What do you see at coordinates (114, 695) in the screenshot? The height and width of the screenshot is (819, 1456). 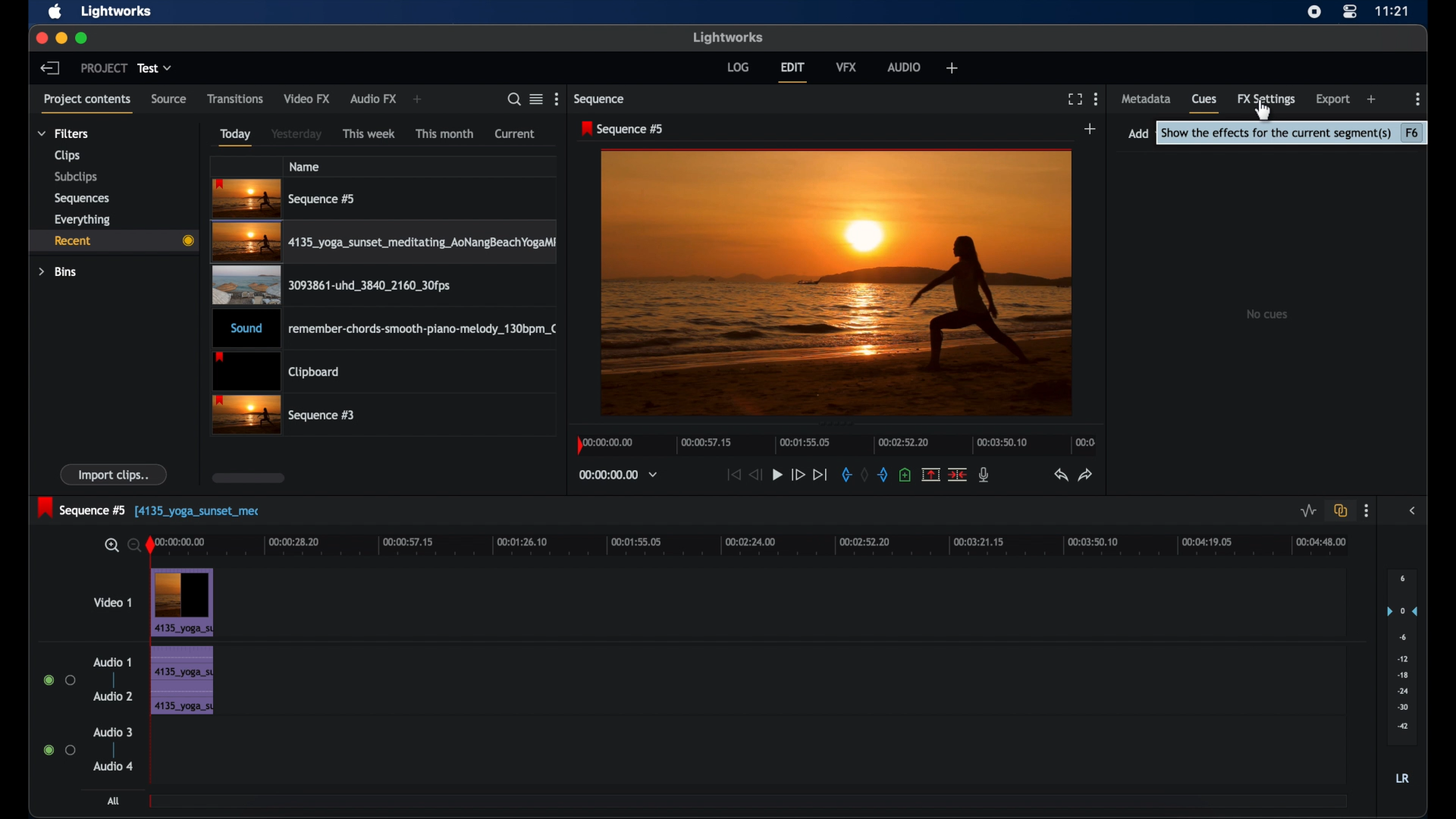 I see `audio 2` at bounding box center [114, 695].